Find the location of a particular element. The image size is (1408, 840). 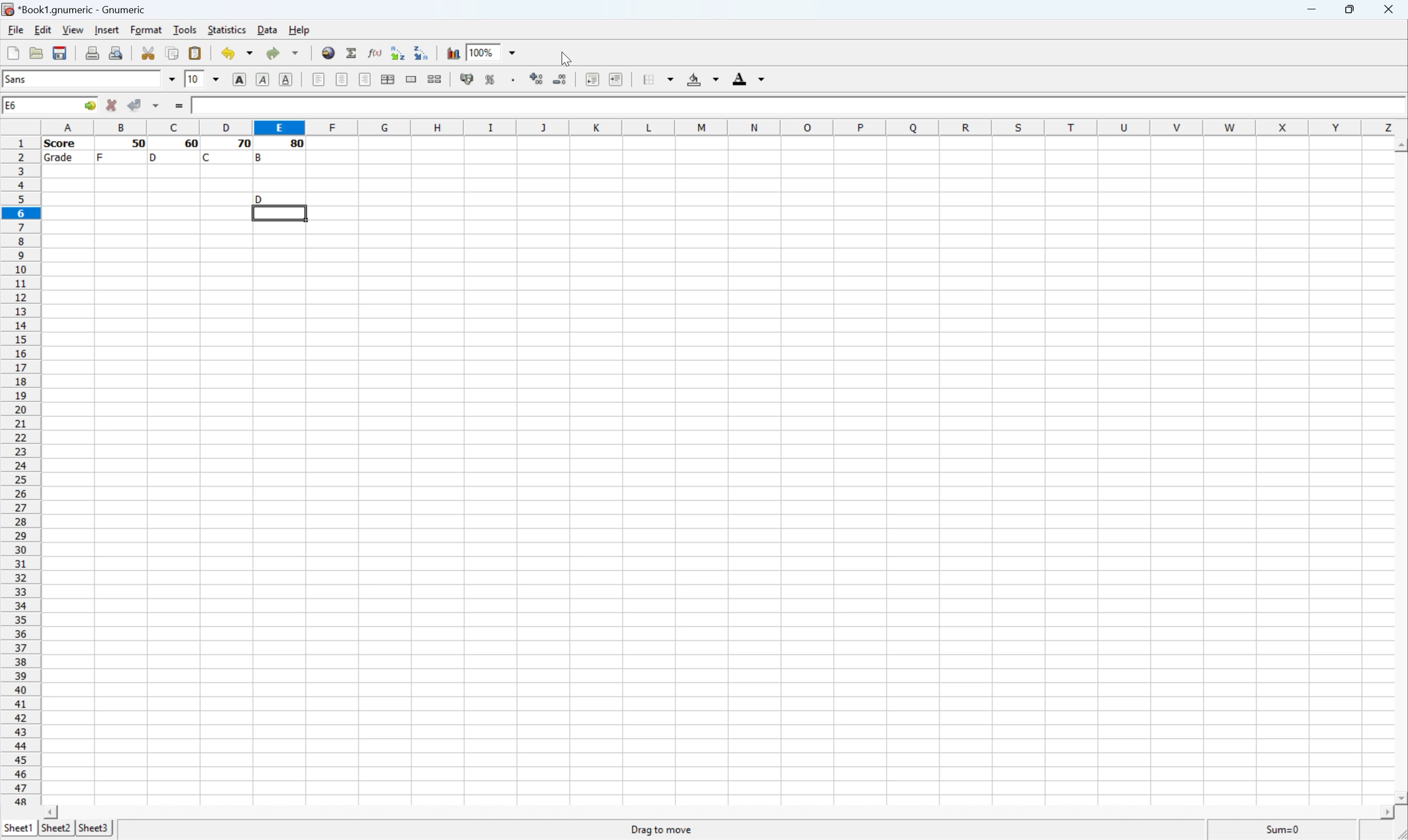

Cut the selection is located at coordinates (147, 50).